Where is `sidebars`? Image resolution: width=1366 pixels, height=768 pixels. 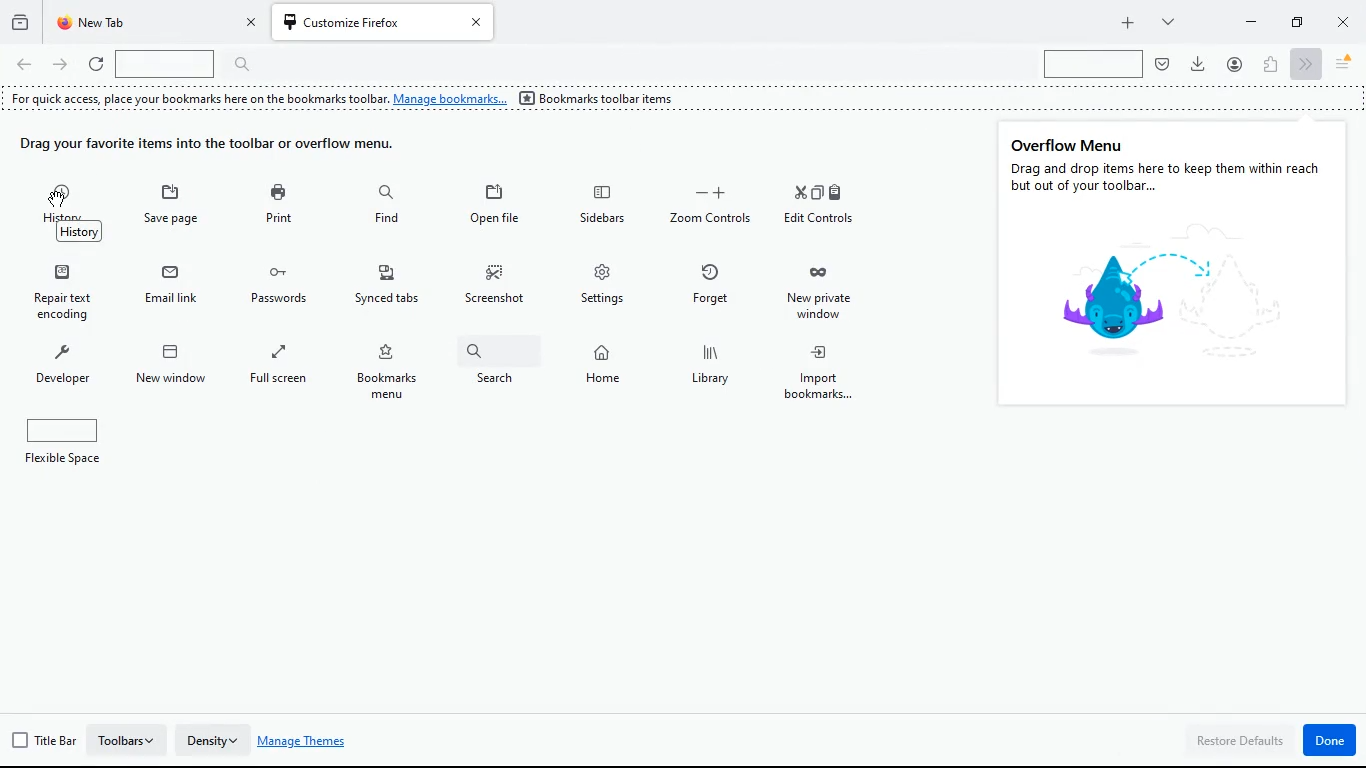 sidebars is located at coordinates (607, 205).